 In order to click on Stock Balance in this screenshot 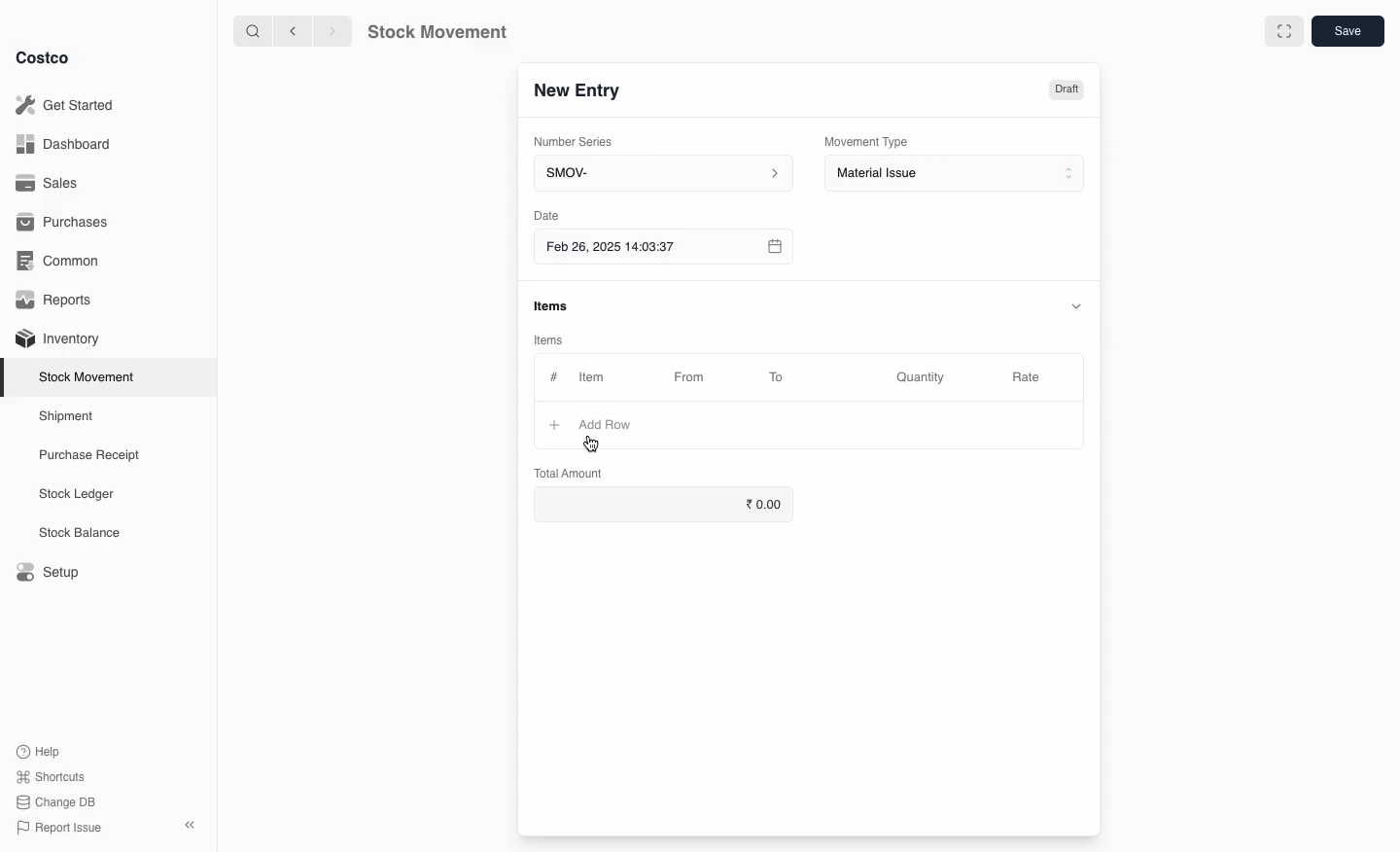, I will do `click(82, 533)`.